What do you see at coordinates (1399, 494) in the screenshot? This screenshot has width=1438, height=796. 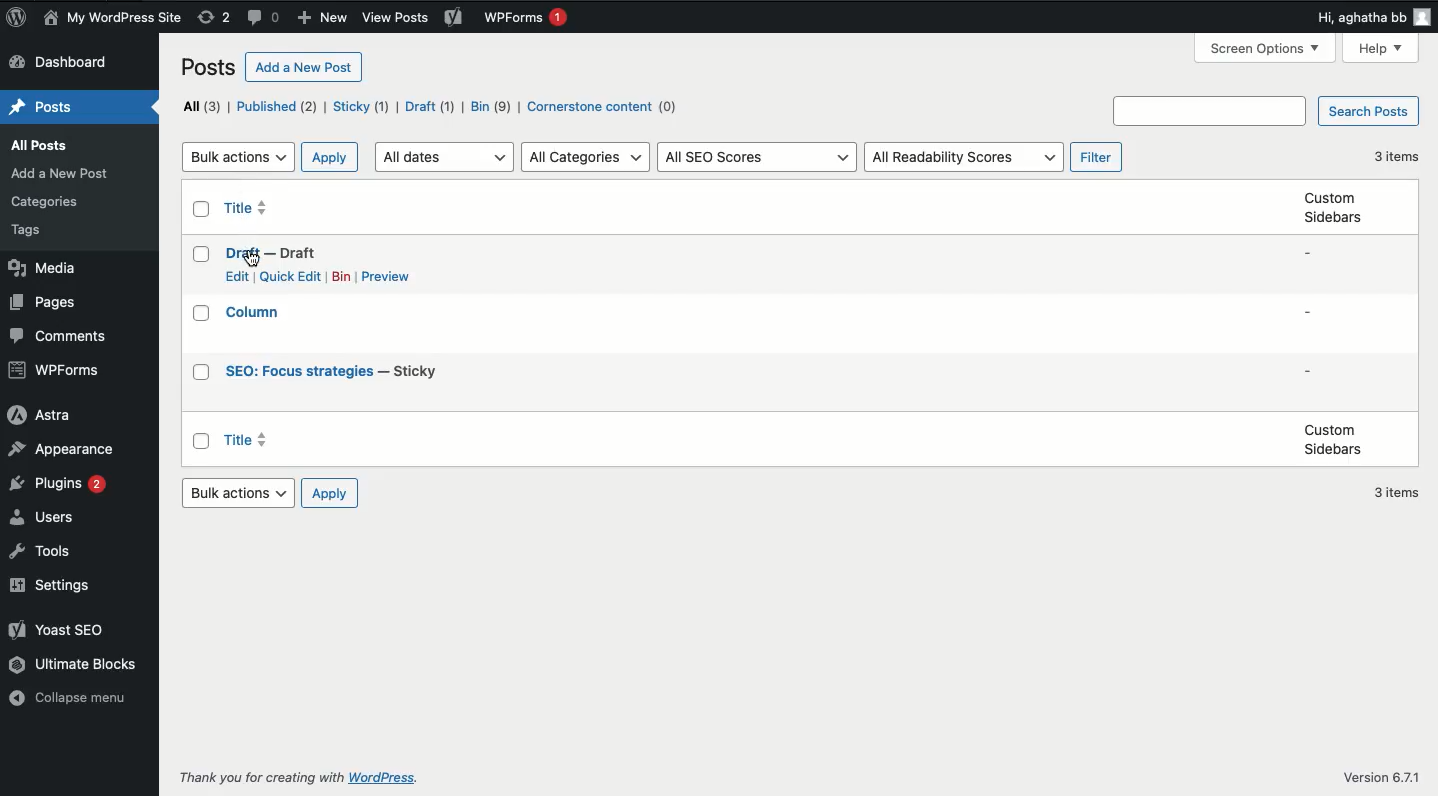 I see `3 items` at bounding box center [1399, 494].